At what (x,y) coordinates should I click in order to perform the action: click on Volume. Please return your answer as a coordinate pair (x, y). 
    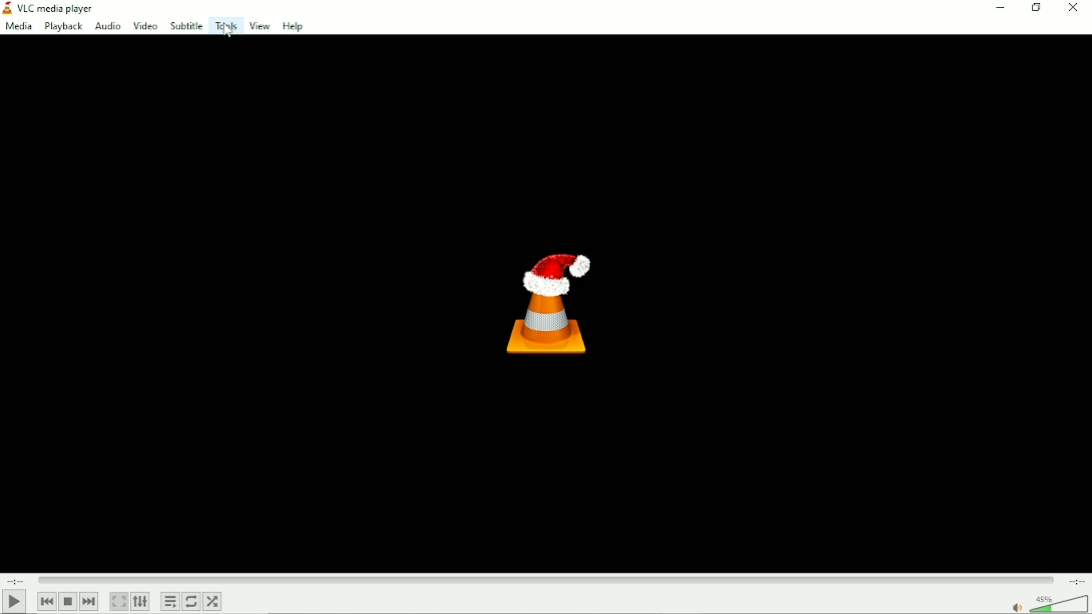
    Looking at the image, I should click on (1046, 603).